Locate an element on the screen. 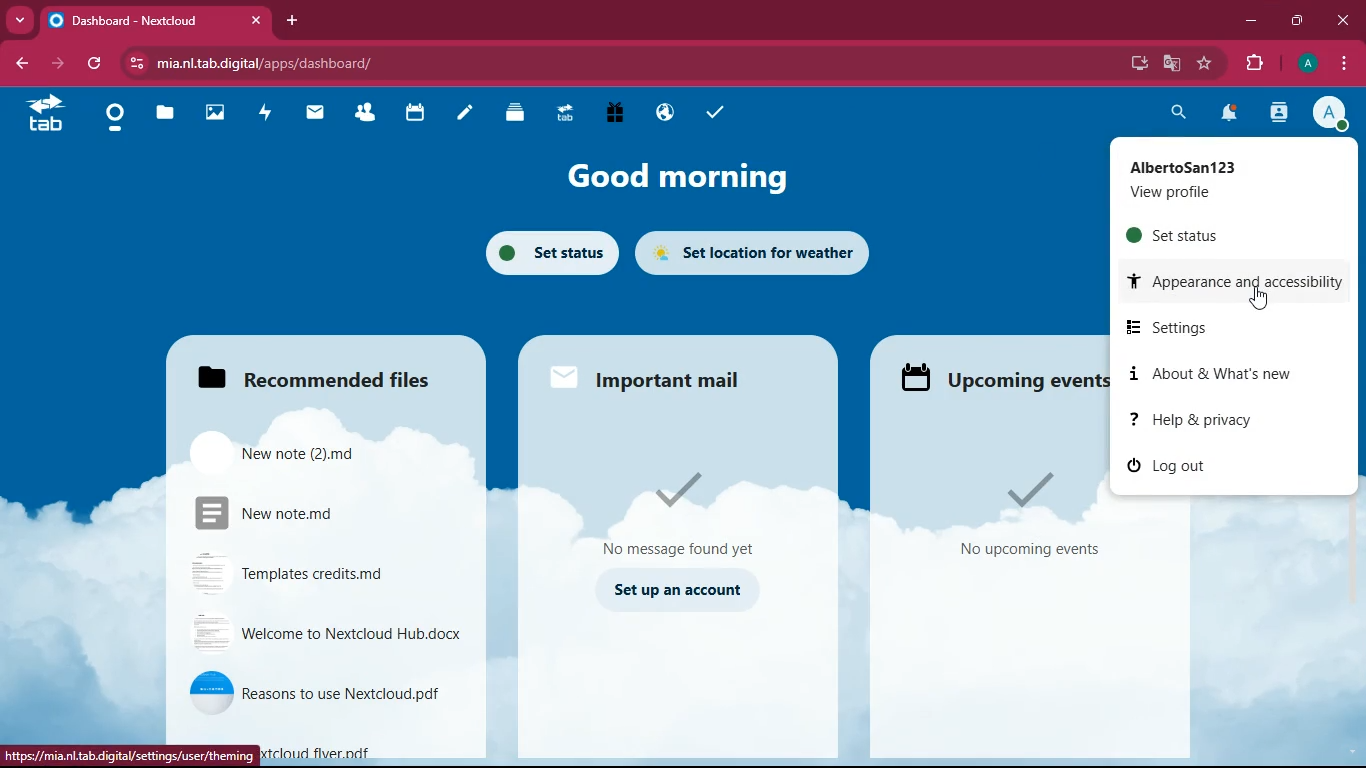  favourite is located at coordinates (1206, 65).